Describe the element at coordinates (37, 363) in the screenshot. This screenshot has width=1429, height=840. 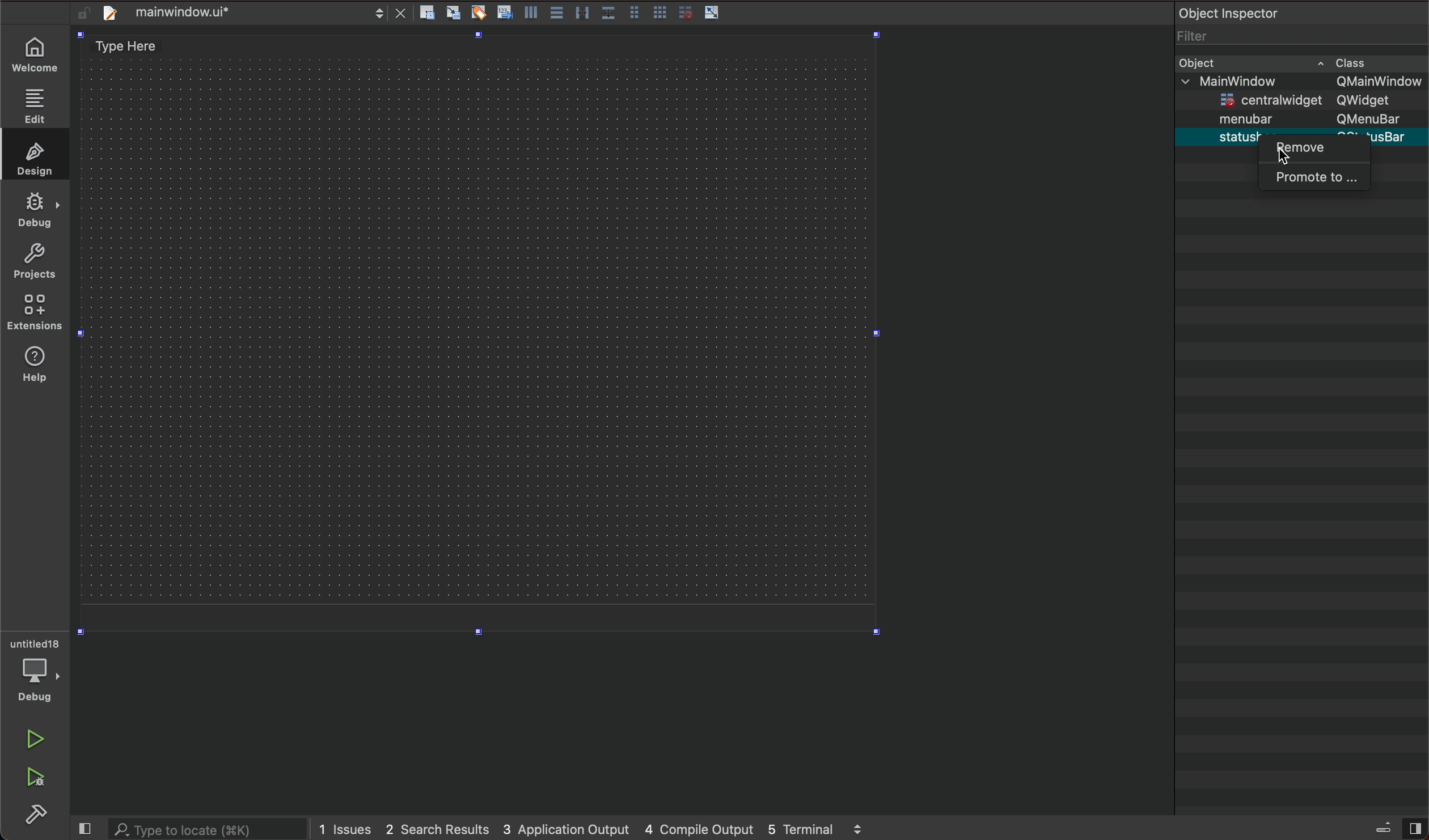
I see `extensions` at that location.